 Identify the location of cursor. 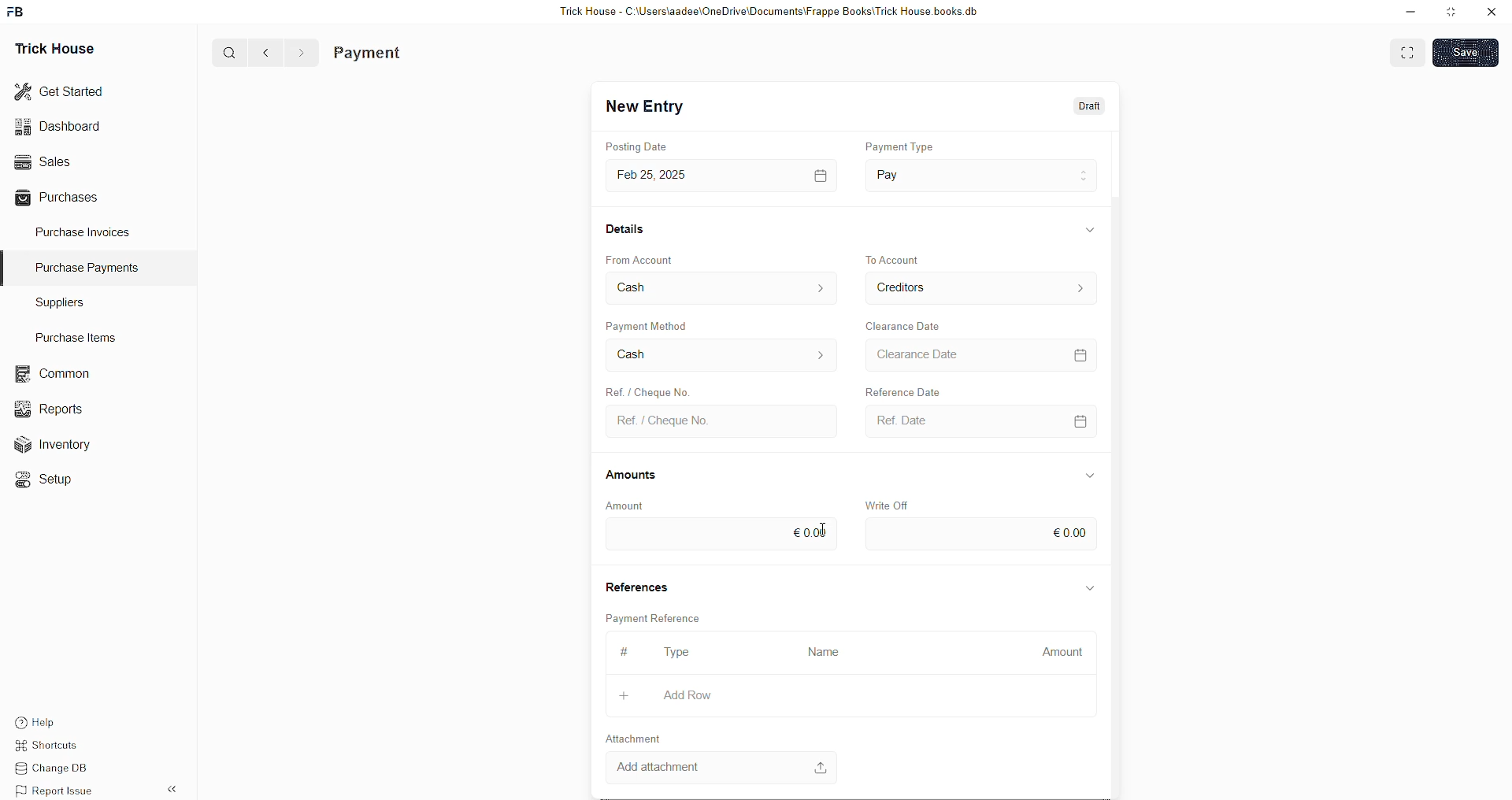
(826, 535).